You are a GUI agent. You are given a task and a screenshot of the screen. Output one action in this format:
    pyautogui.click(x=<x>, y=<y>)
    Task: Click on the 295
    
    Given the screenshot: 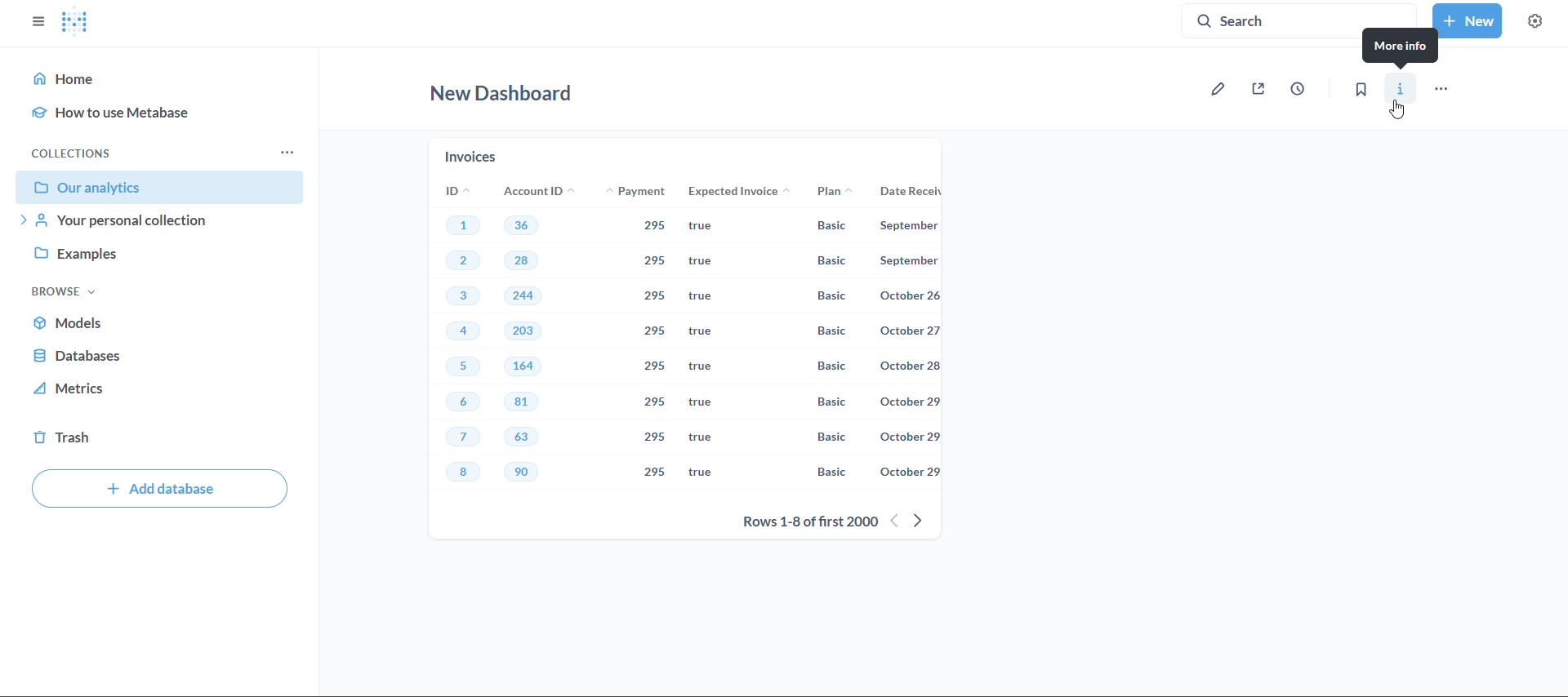 What is the action you would take?
    pyautogui.click(x=659, y=366)
    